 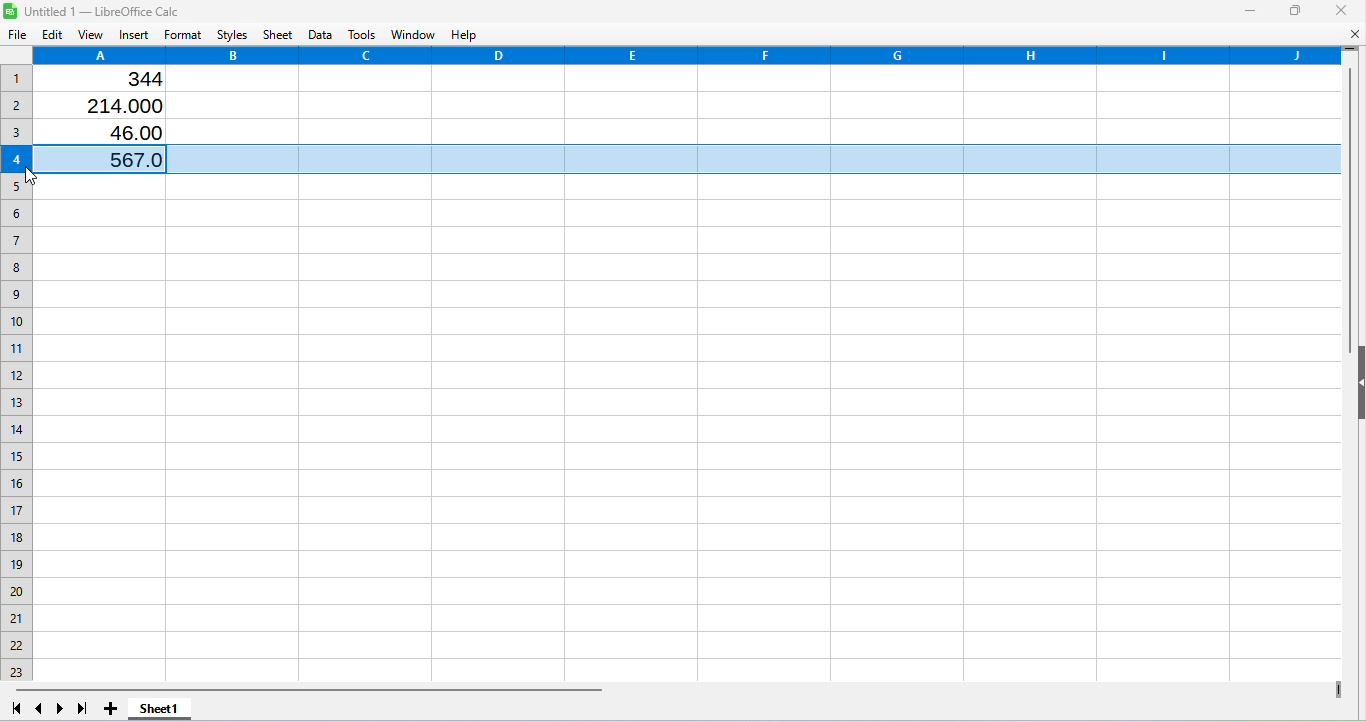 I want to click on Tools, so click(x=363, y=34).